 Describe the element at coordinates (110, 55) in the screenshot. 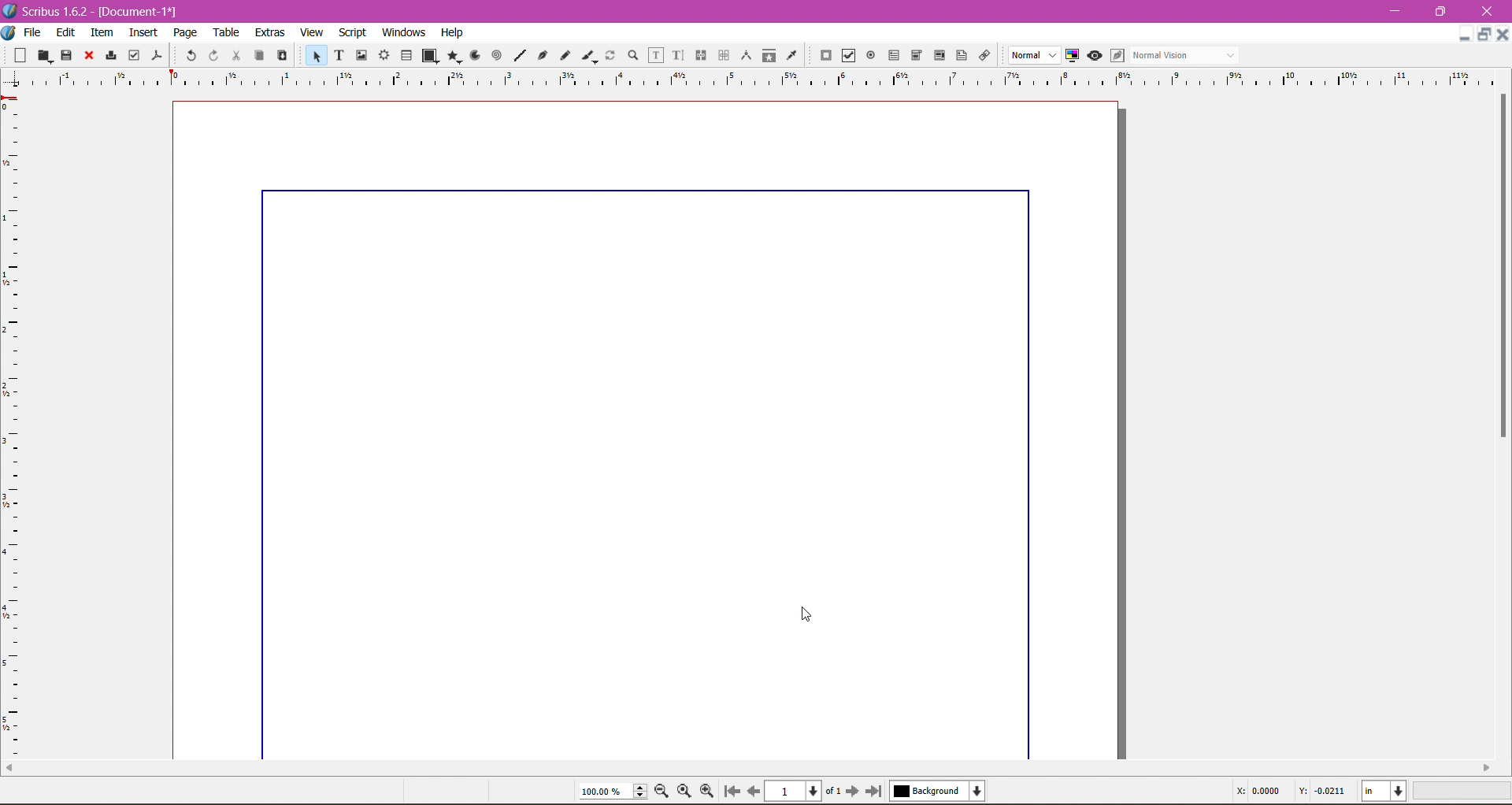

I see `Print` at that location.